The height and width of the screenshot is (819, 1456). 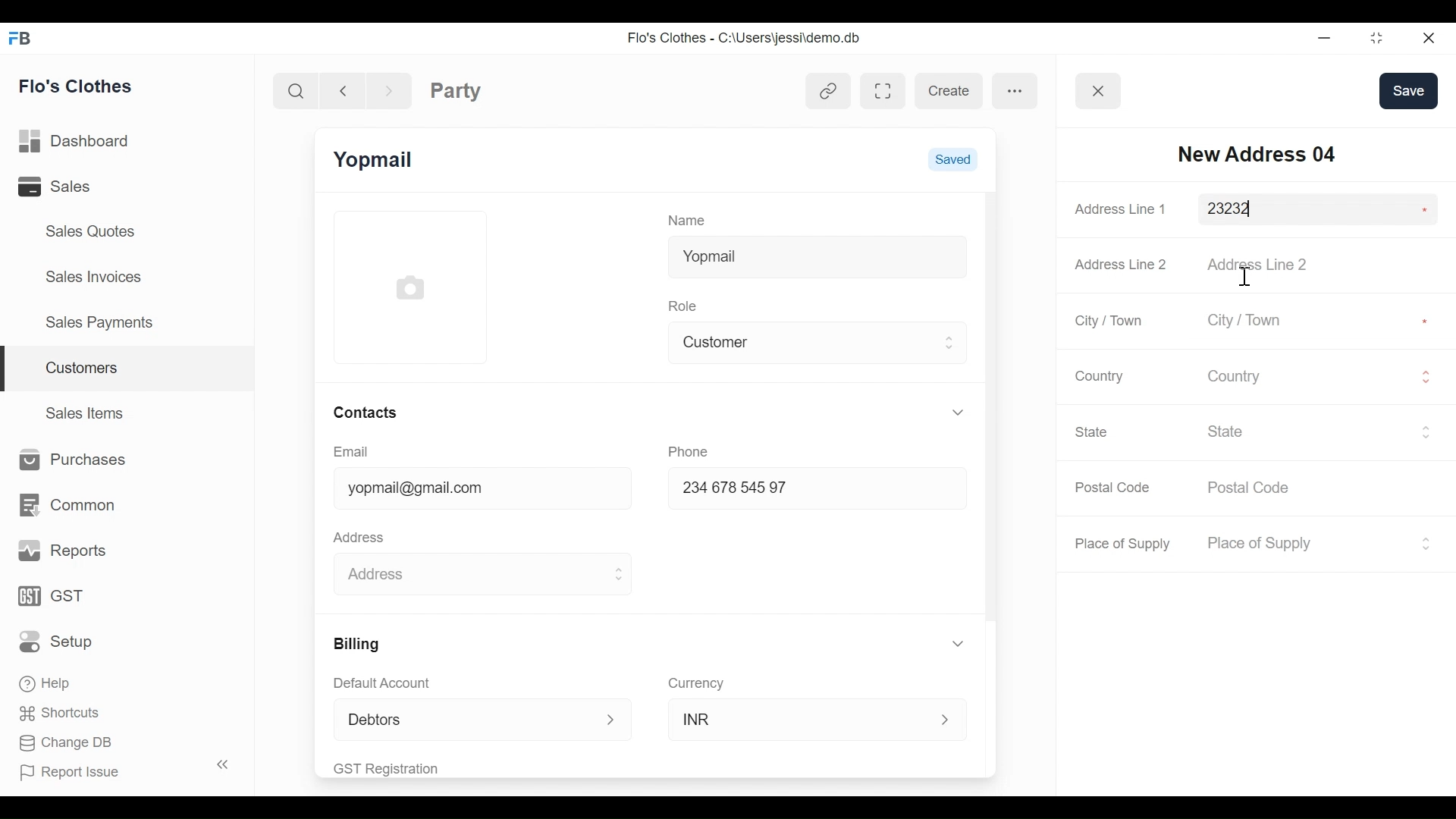 I want to click on City / Town, so click(x=1265, y=322).